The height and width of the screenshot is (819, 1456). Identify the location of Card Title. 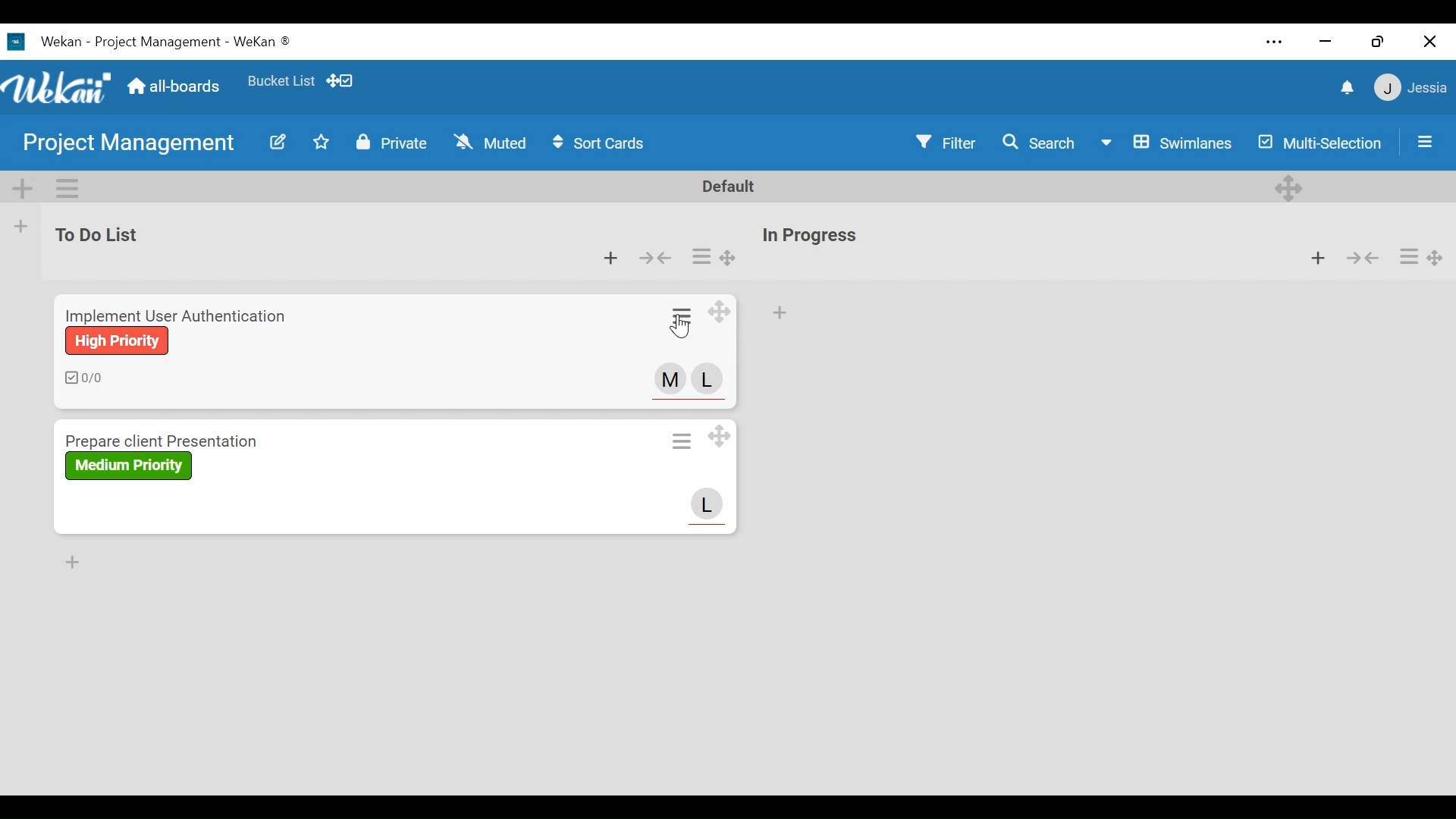
(180, 313).